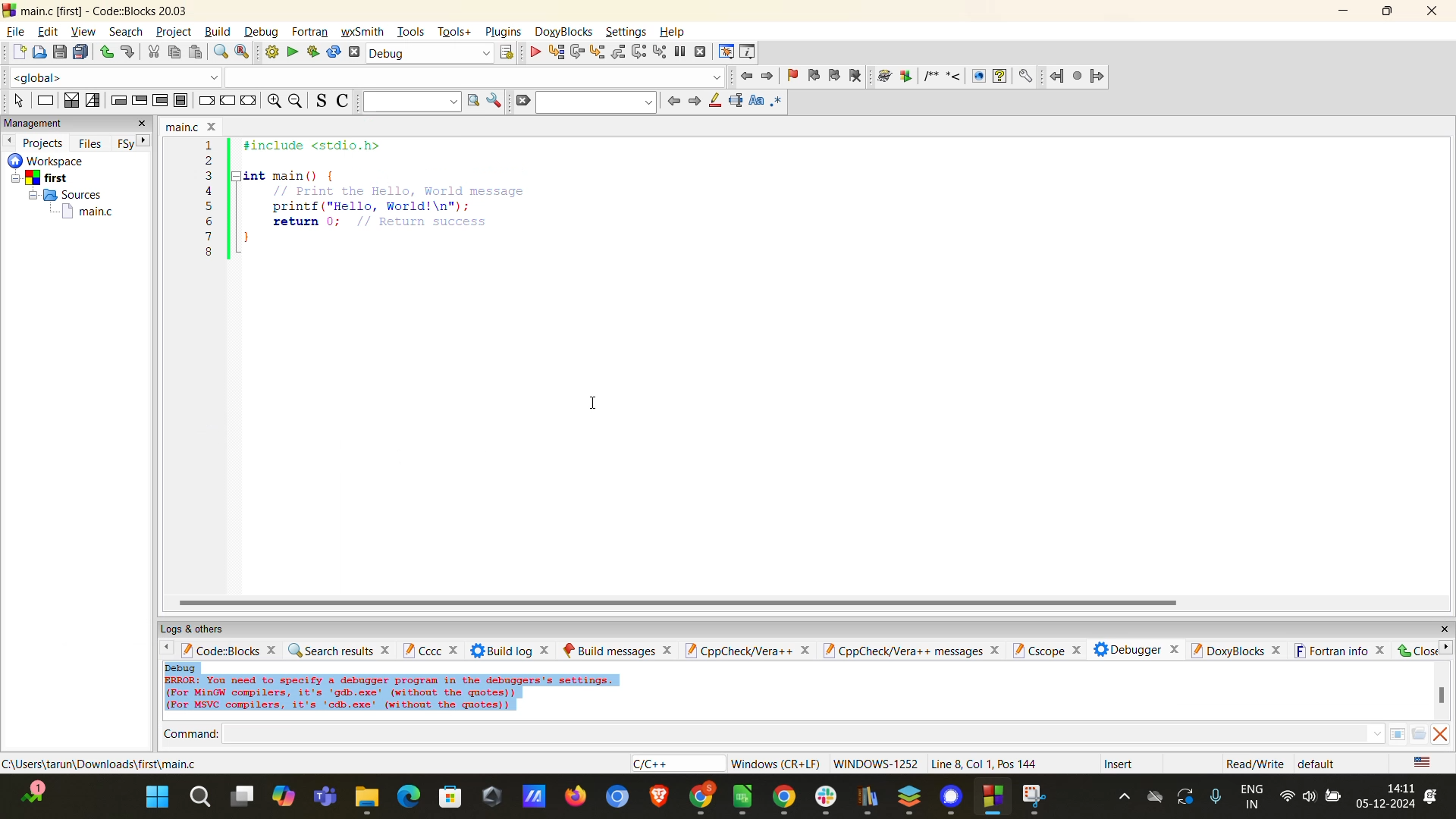 The image size is (1456, 819). Describe the element at coordinates (767, 78) in the screenshot. I see `jump forward` at that location.